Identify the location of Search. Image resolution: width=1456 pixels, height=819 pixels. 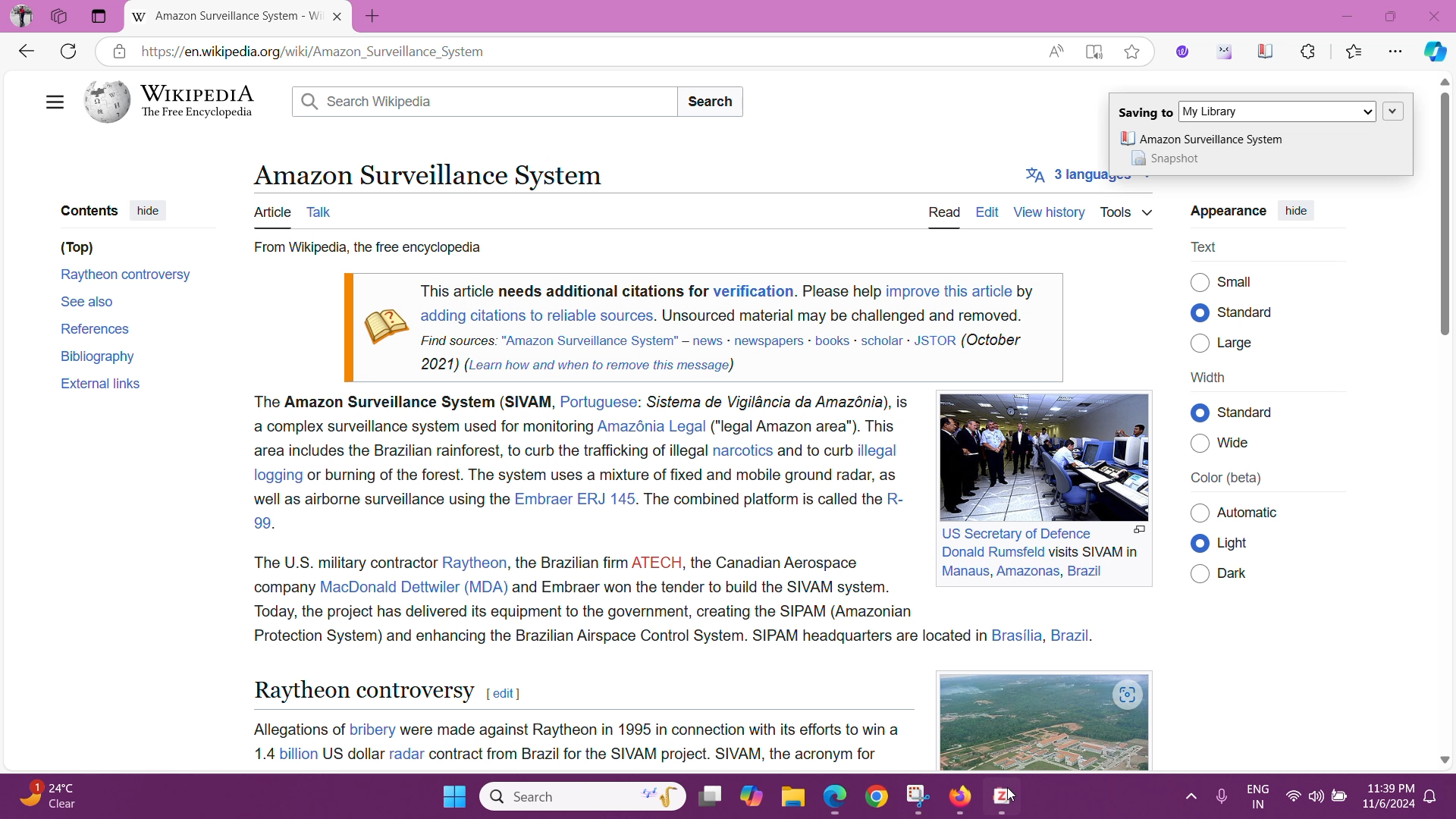
(485, 102).